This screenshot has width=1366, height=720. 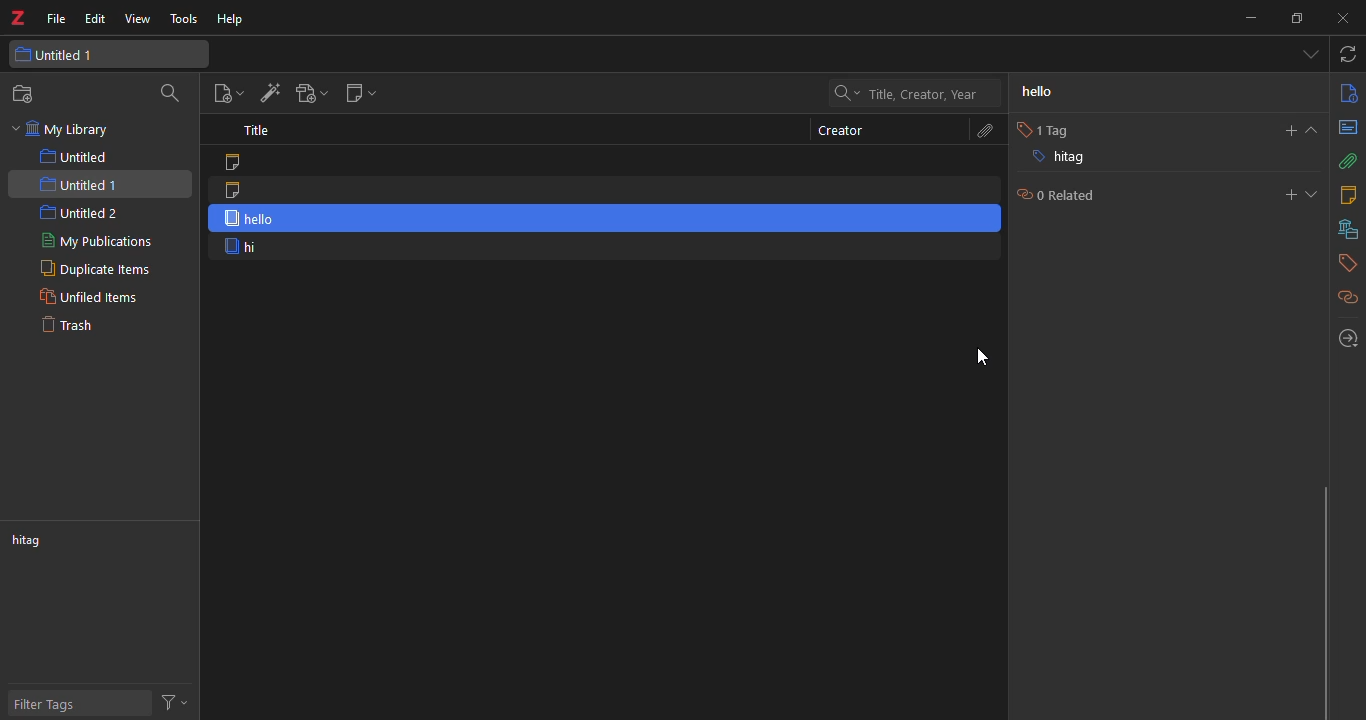 What do you see at coordinates (1345, 336) in the screenshot?
I see `locate` at bounding box center [1345, 336].